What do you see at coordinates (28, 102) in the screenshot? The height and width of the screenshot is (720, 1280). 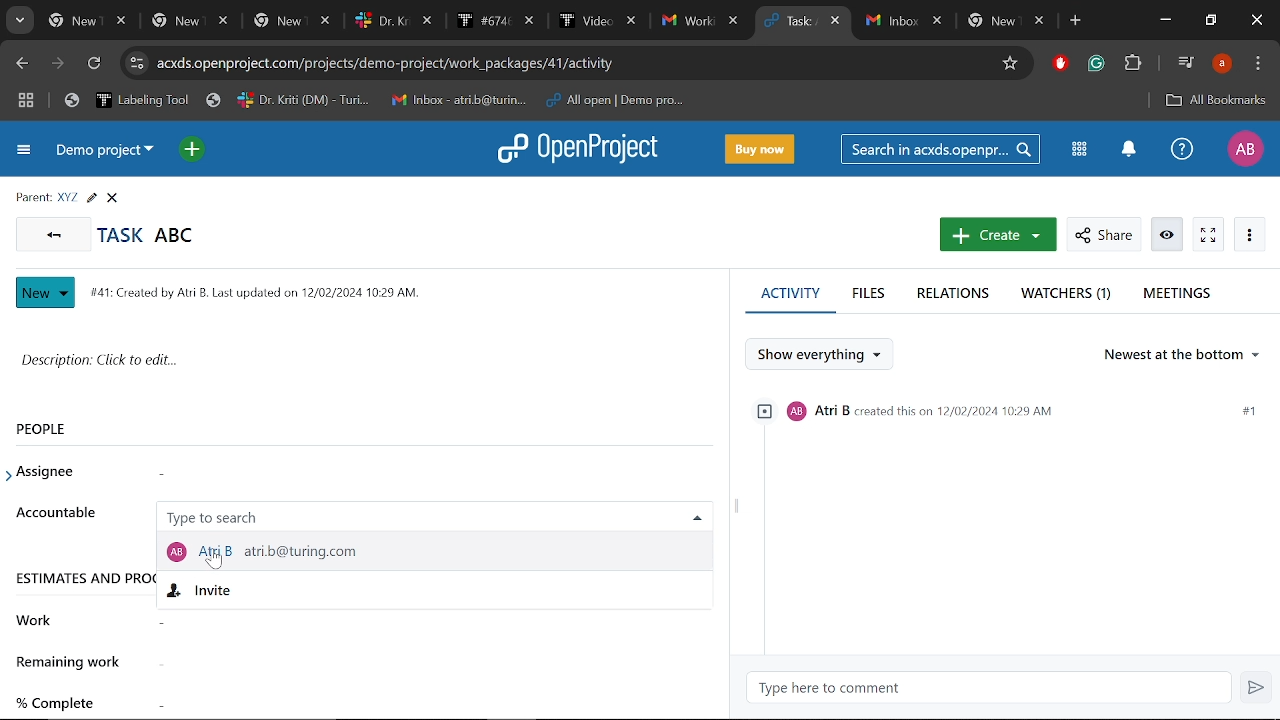 I see `Tab groups` at bounding box center [28, 102].